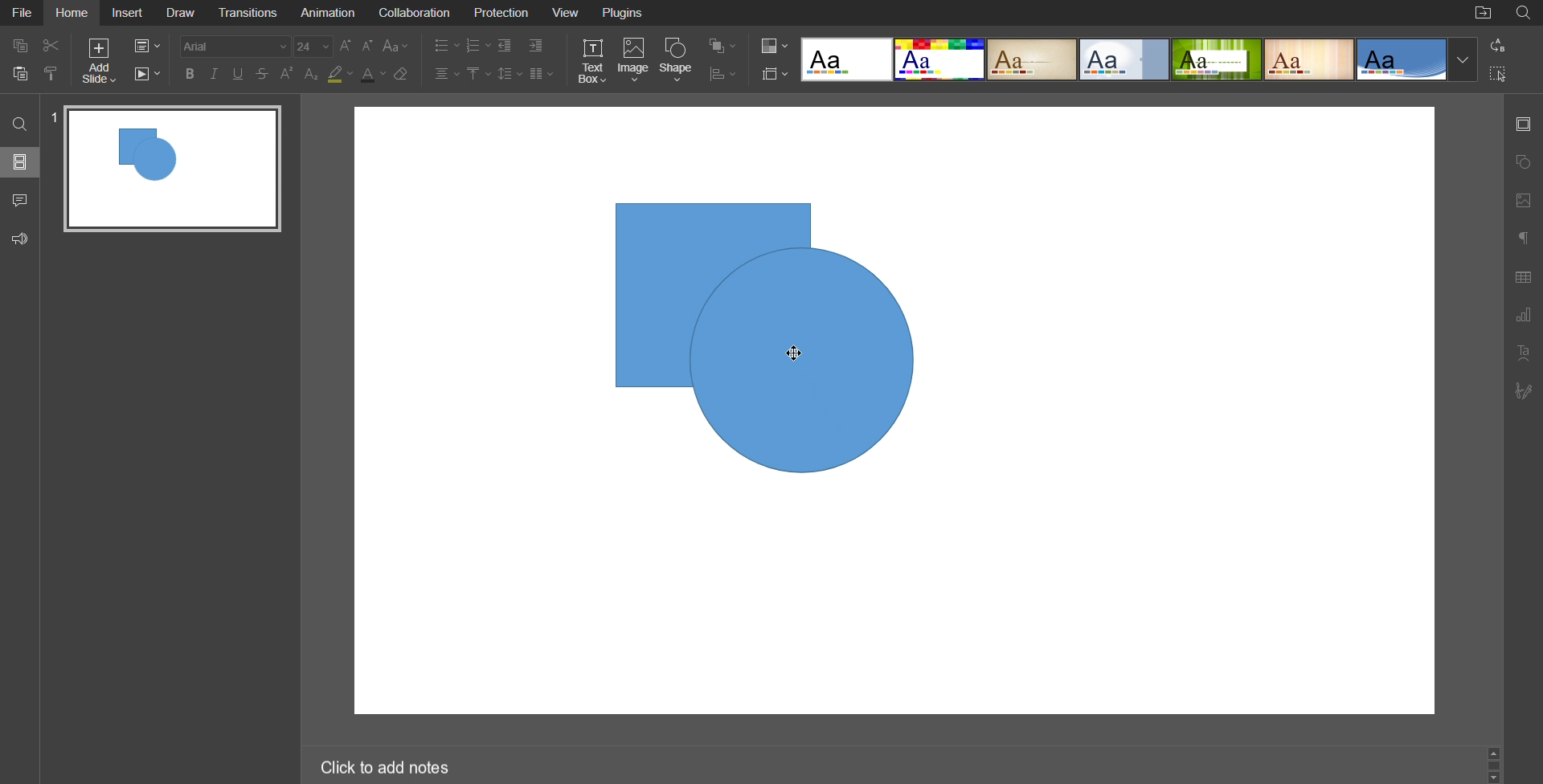 This screenshot has height=784, width=1543. What do you see at coordinates (1498, 74) in the screenshot?
I see `Selection` at bounding box center [1498, 74].